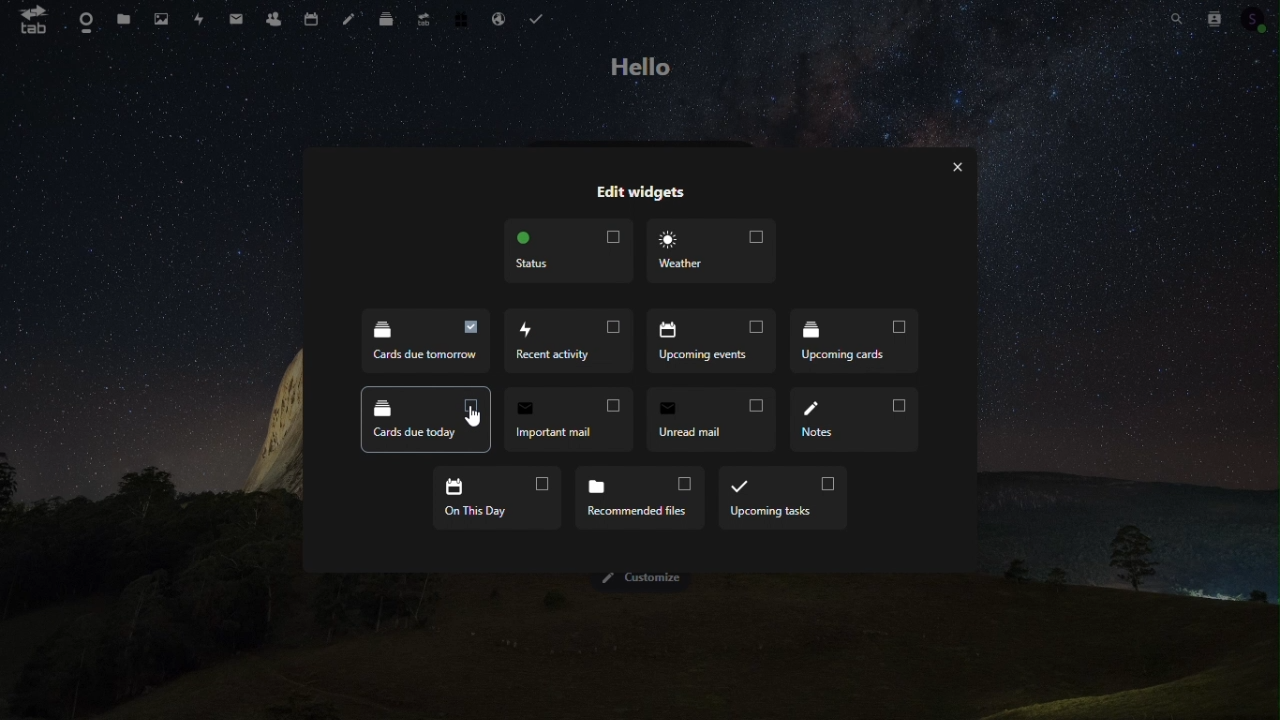  What do you see at coordinates (83, 21) in the screenshot?
I see `Dashboard` at bounding box center [83, 21].